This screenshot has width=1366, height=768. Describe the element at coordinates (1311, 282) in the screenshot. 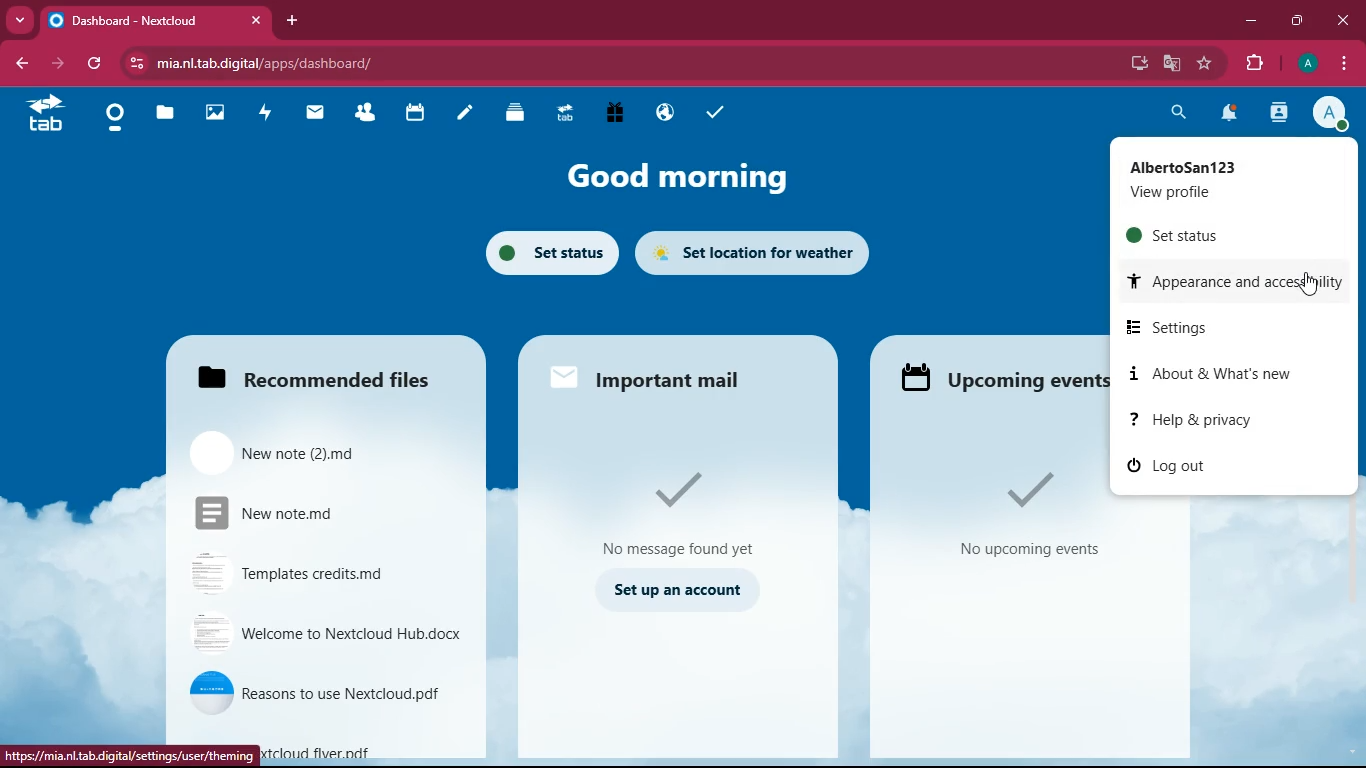

I see `cursor` at that location.